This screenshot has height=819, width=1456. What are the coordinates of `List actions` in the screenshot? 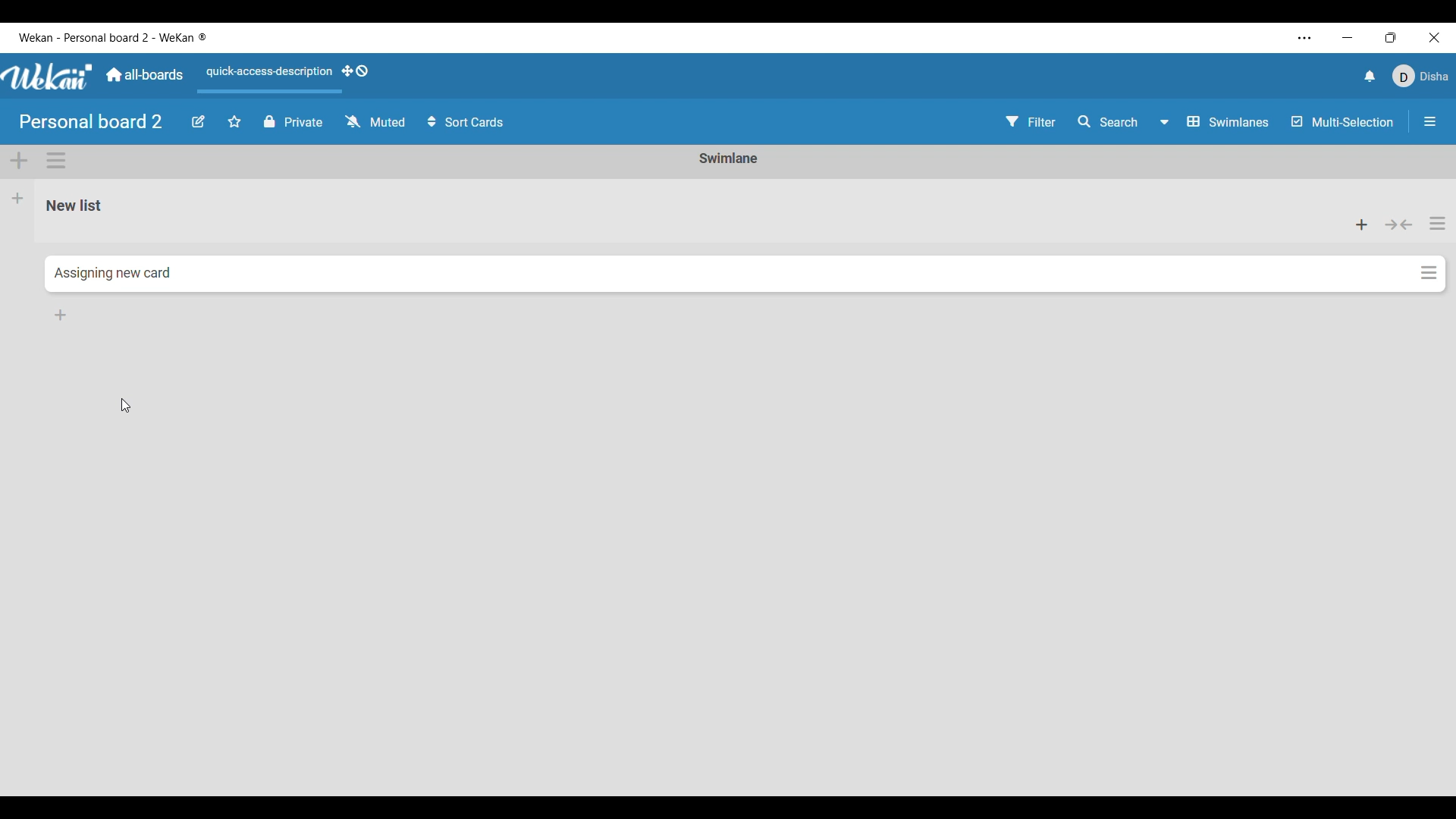 It's located at (1438, 223).